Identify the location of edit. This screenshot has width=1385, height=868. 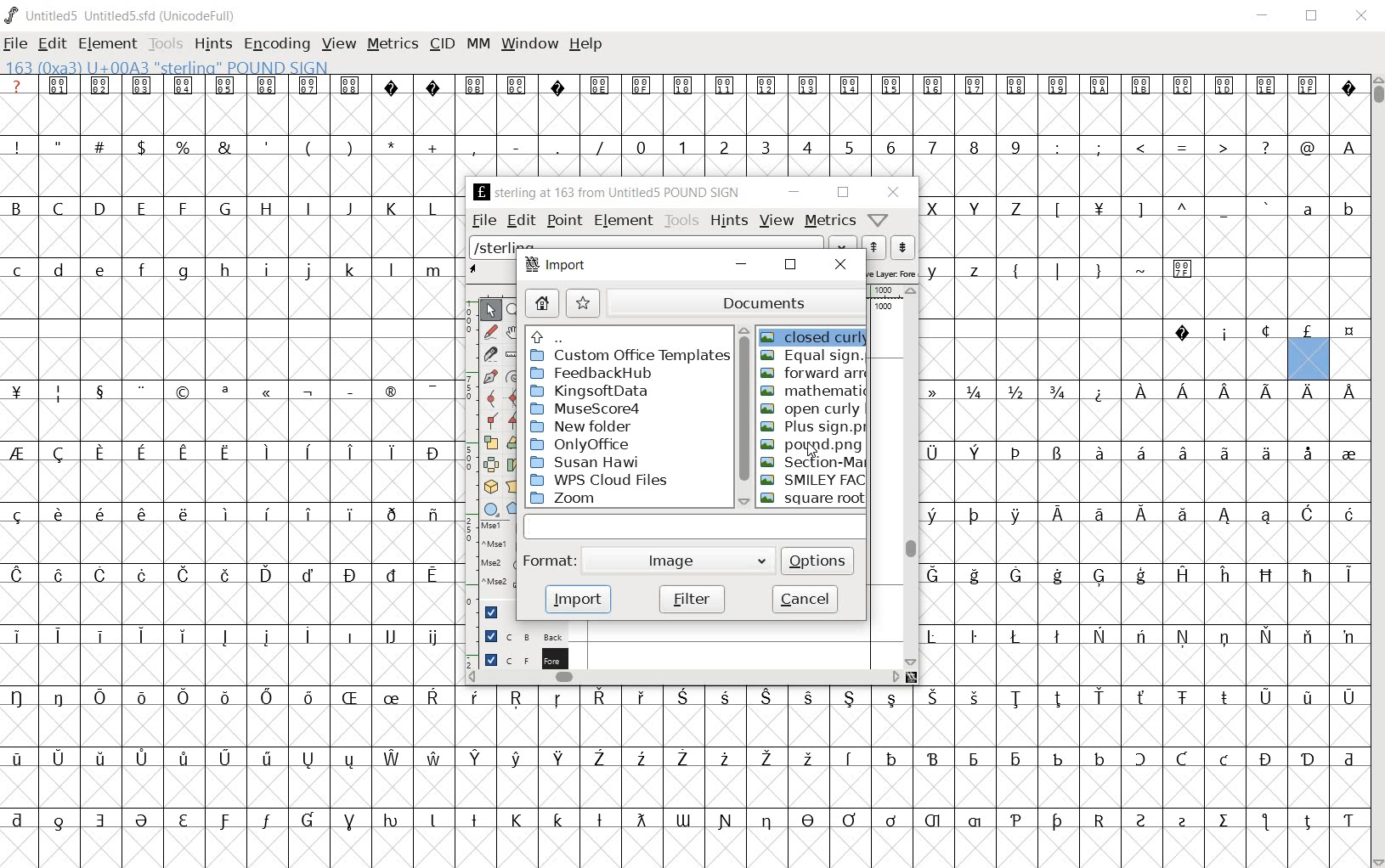
(53, 45).